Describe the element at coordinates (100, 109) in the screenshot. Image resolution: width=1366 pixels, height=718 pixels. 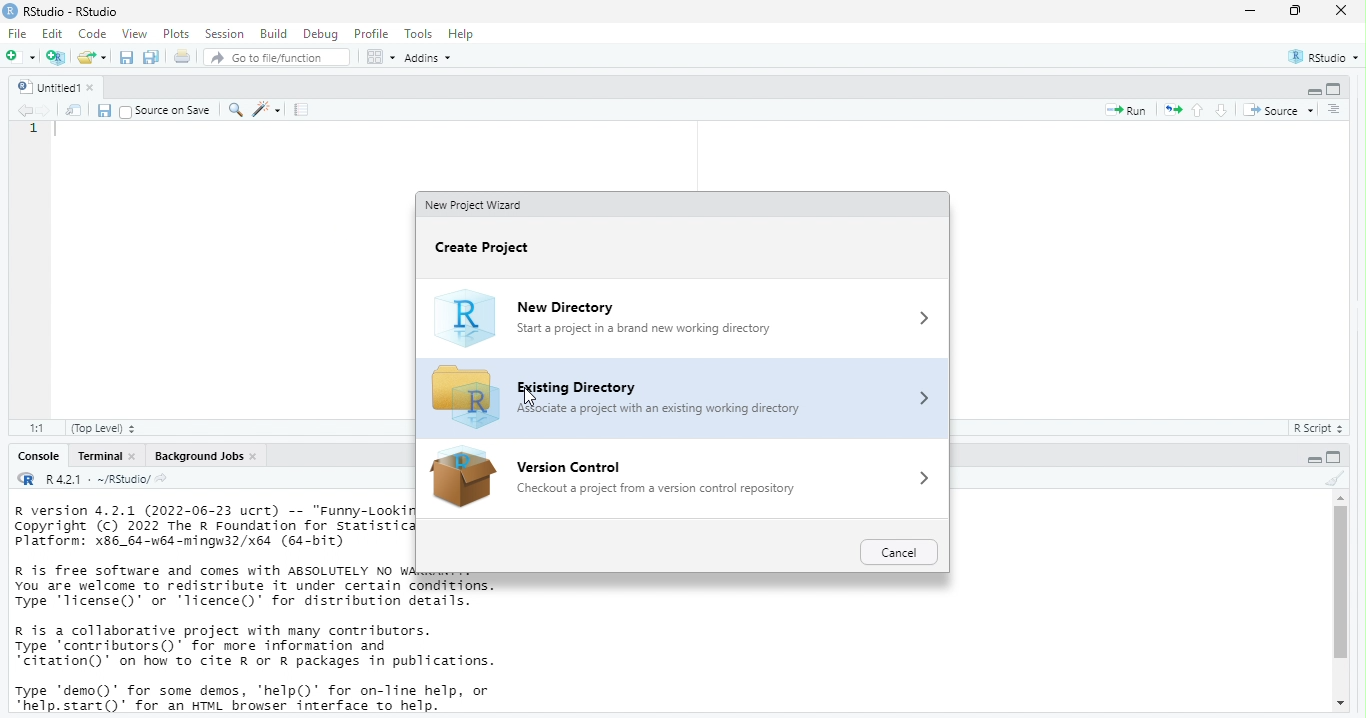
I see `save current document` at that location.